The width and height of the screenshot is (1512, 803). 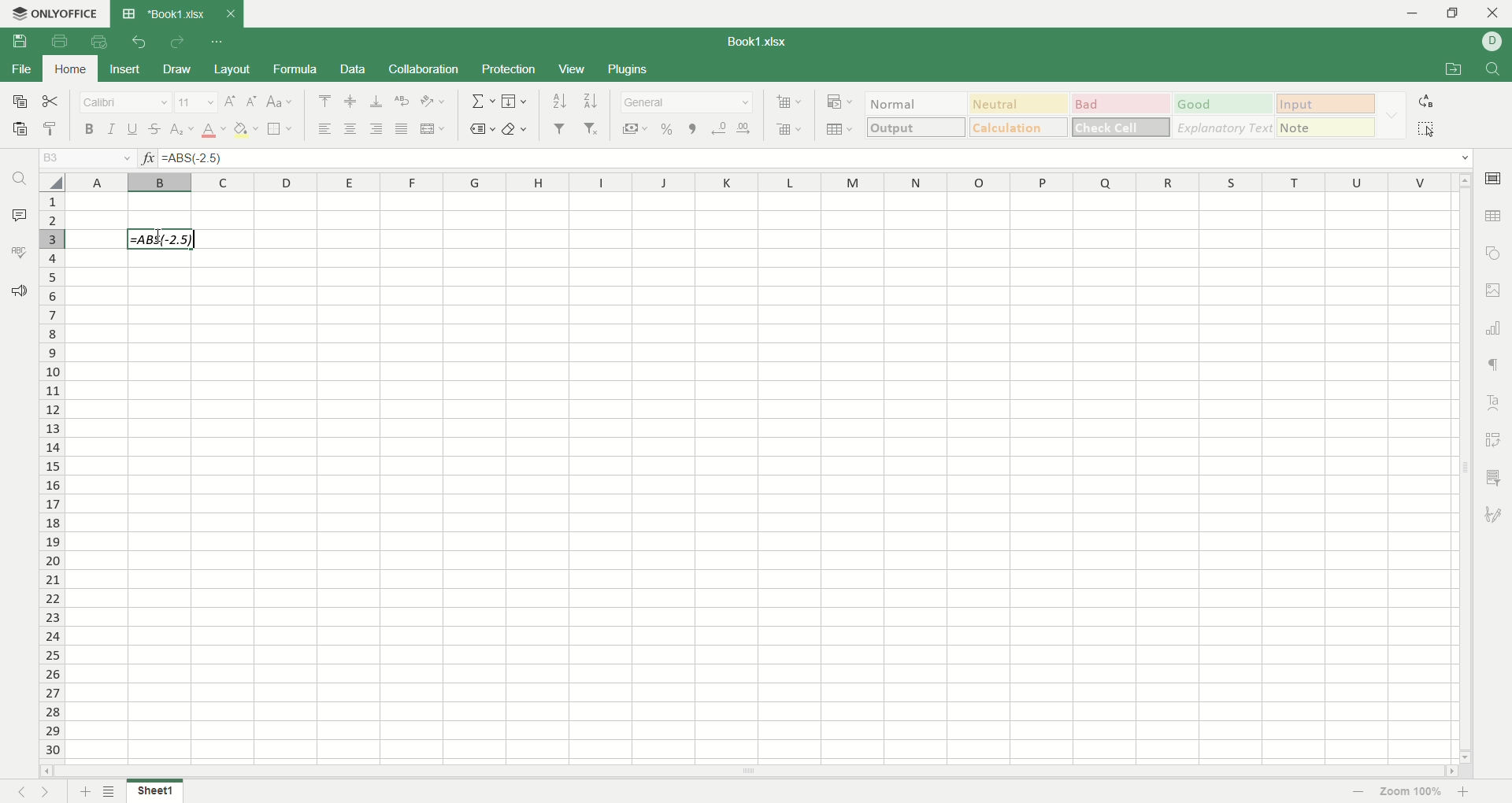 I want to click on align left, so click(x=325, y=129).